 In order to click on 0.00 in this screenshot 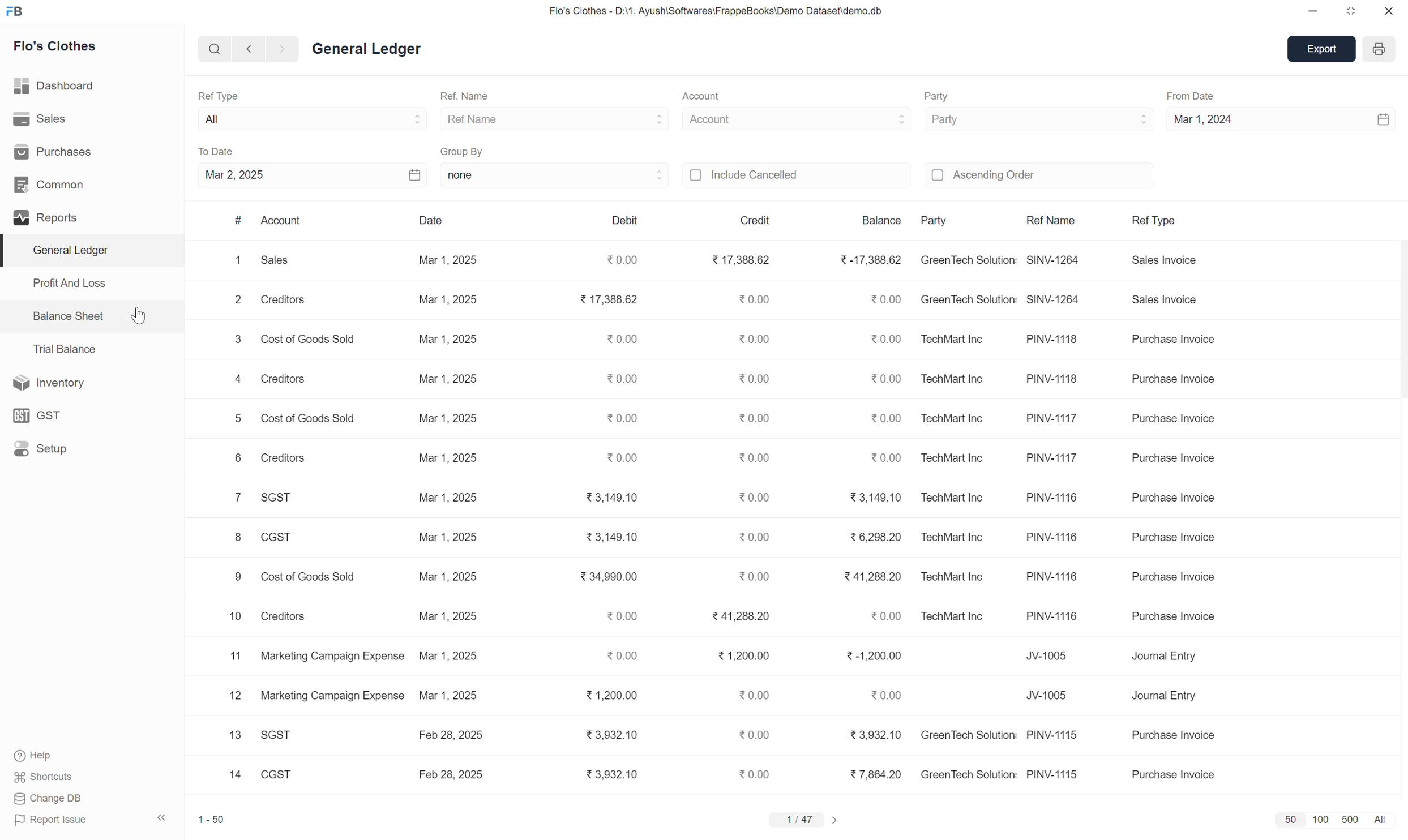, I will do `click(617, 655)`.